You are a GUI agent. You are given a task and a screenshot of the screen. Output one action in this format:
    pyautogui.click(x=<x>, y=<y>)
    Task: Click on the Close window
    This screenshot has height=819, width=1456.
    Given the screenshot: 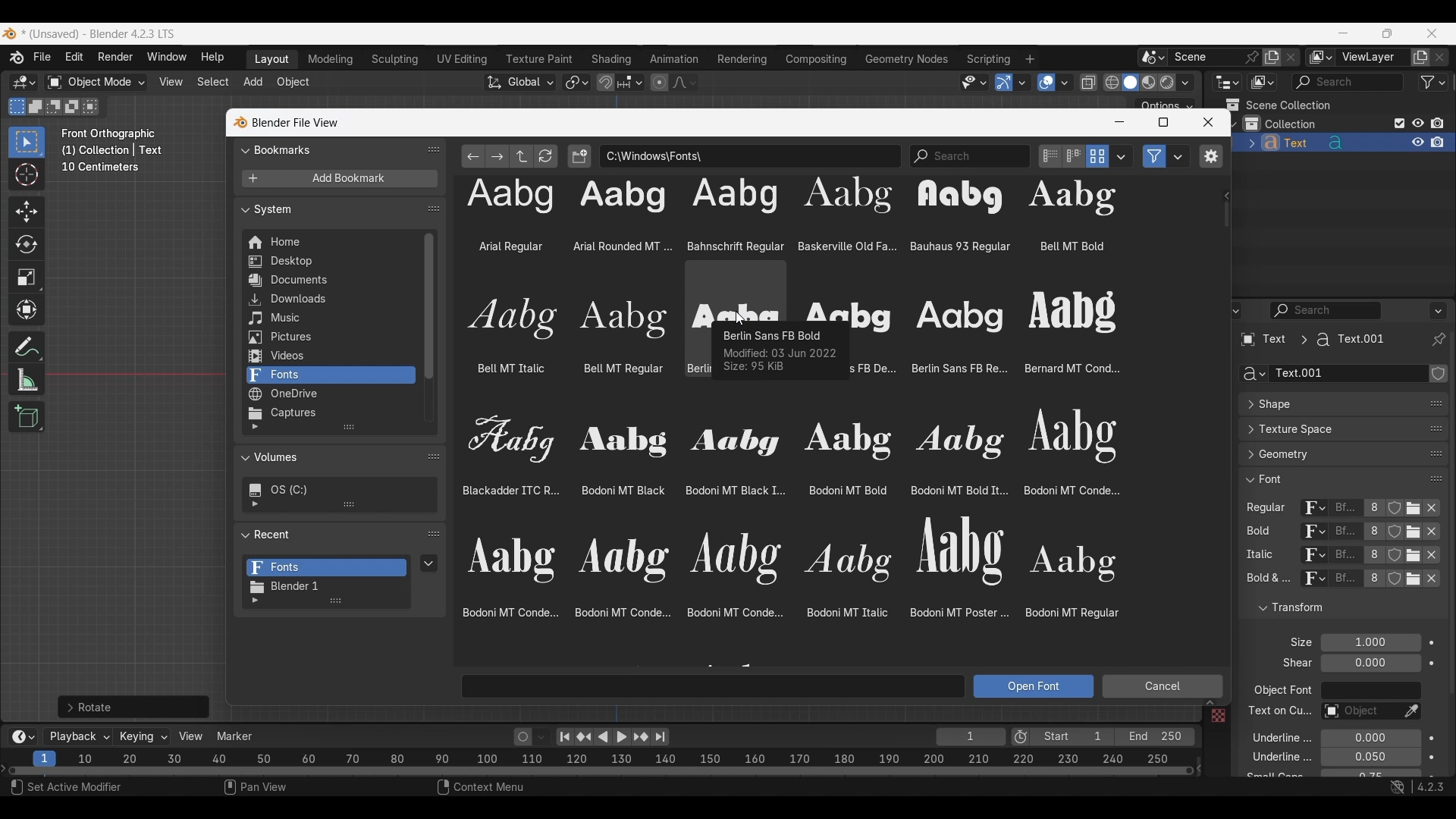 What is the action you would take?
    pyautogui.click(x=1208, y=122)
    